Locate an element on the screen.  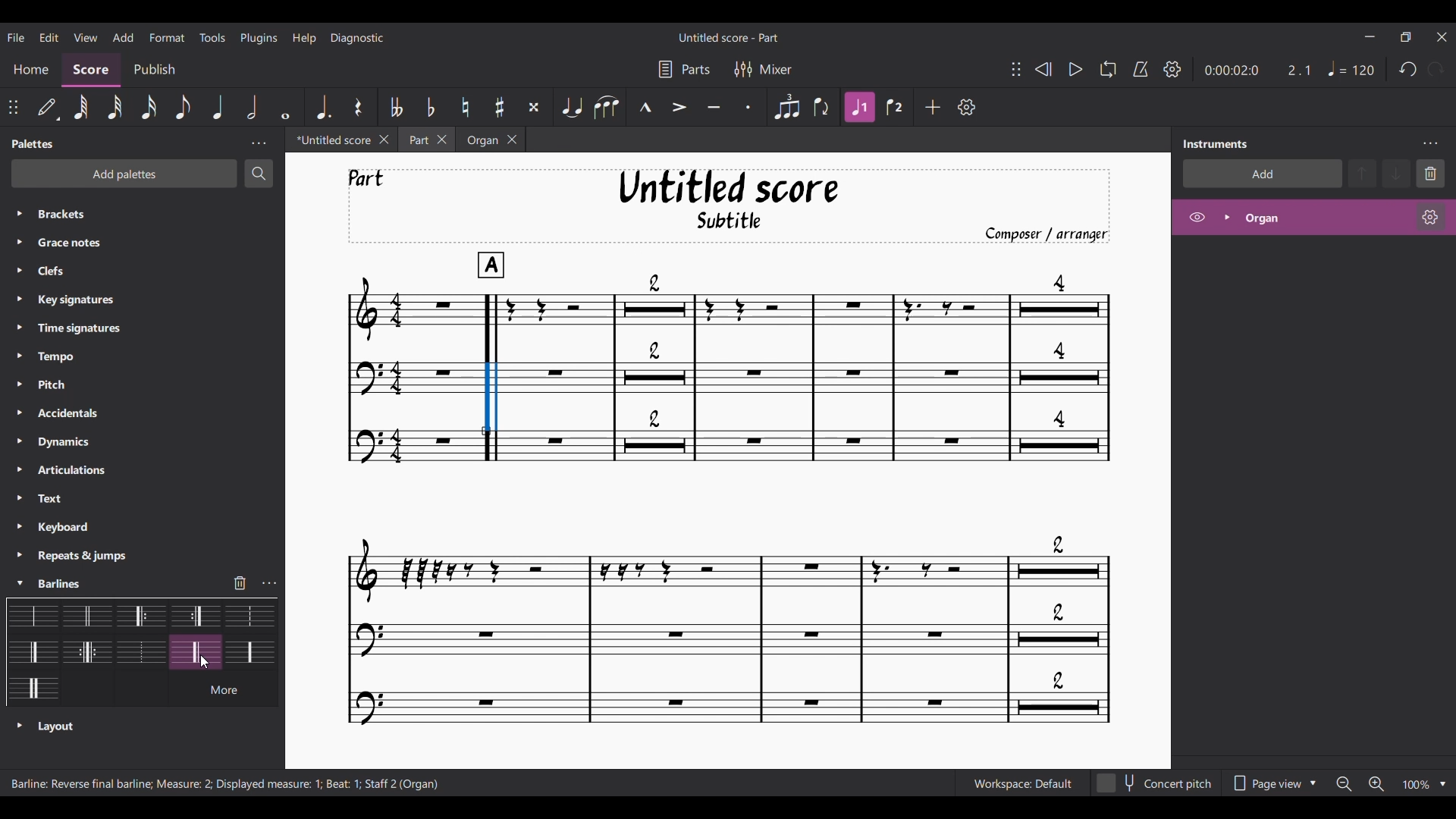
Zoom out is located at coordinates (1343, 784).